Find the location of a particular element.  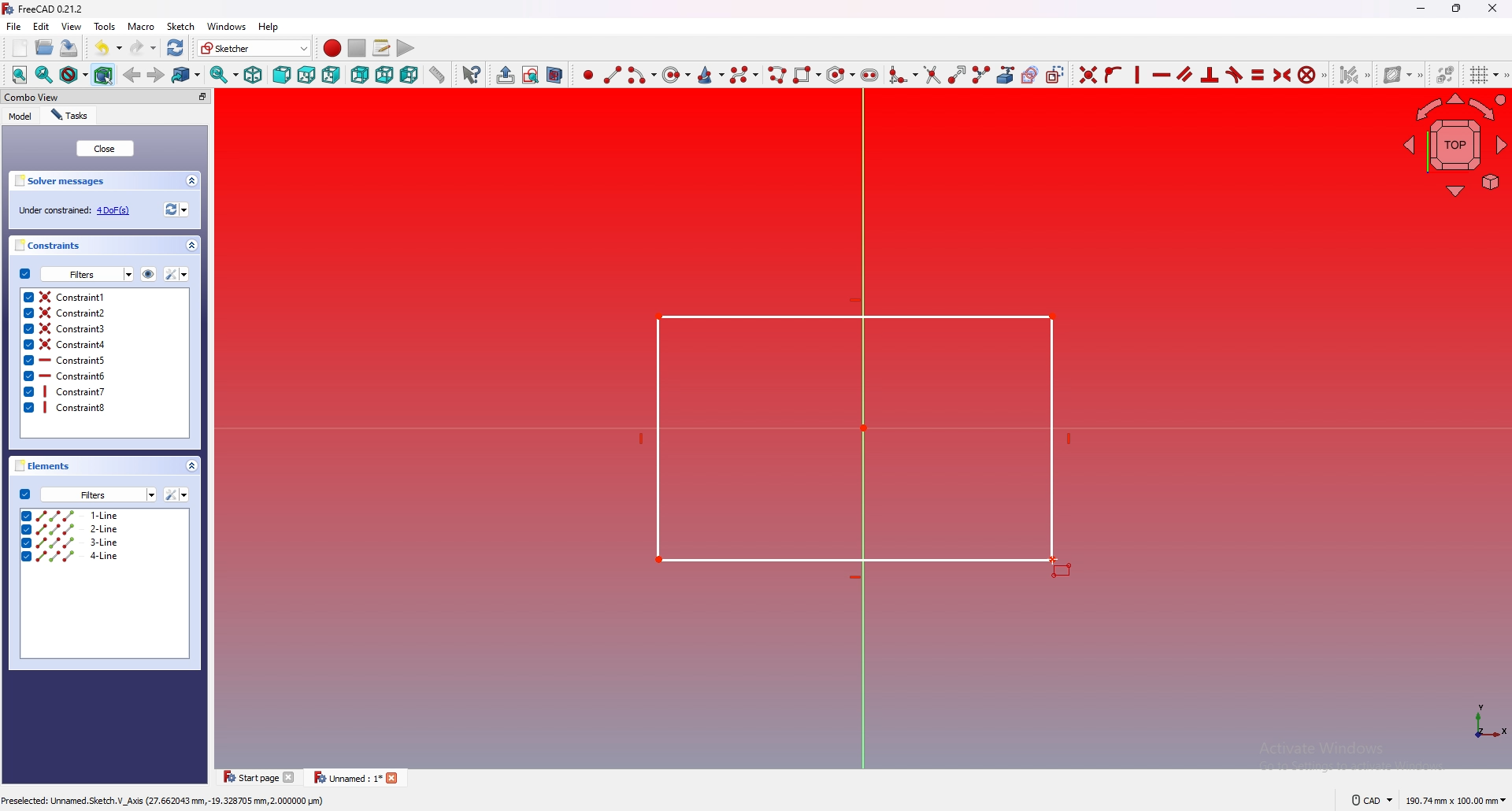

freecad is located at coordinates (46, 9).